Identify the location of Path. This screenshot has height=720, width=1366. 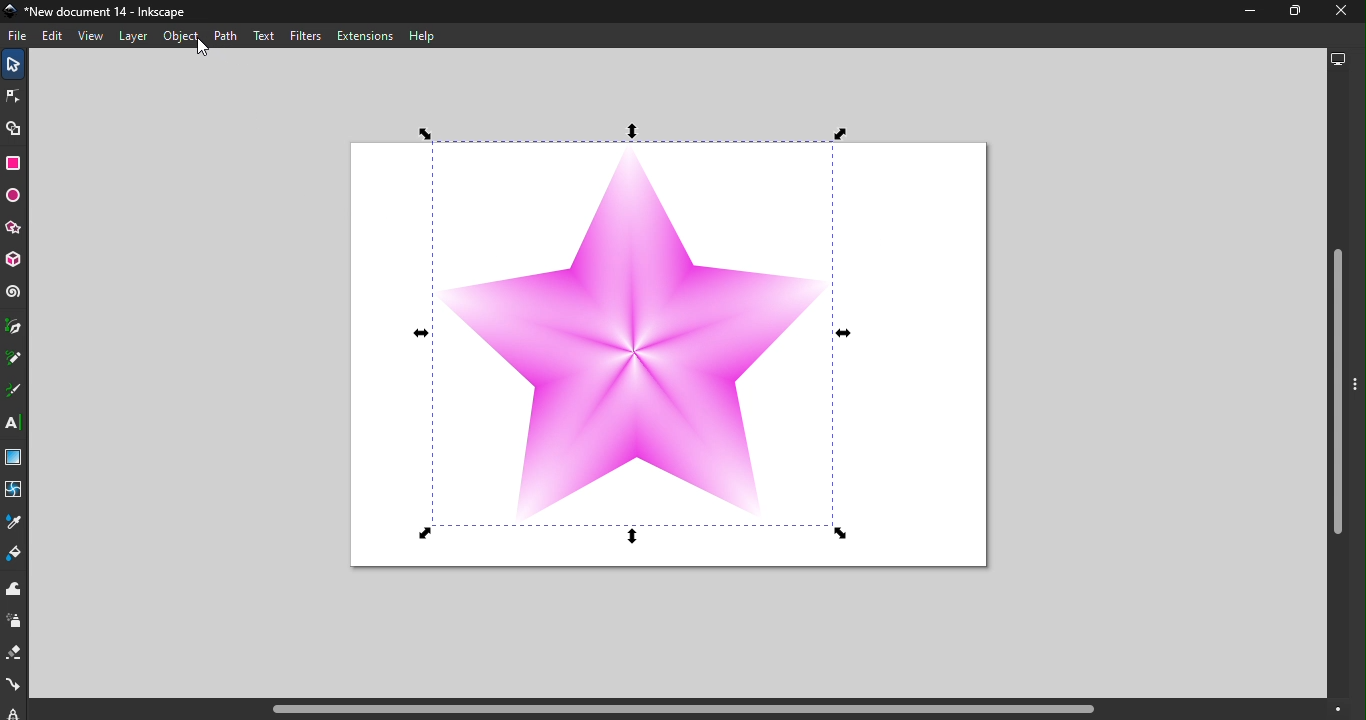
(224, 34).